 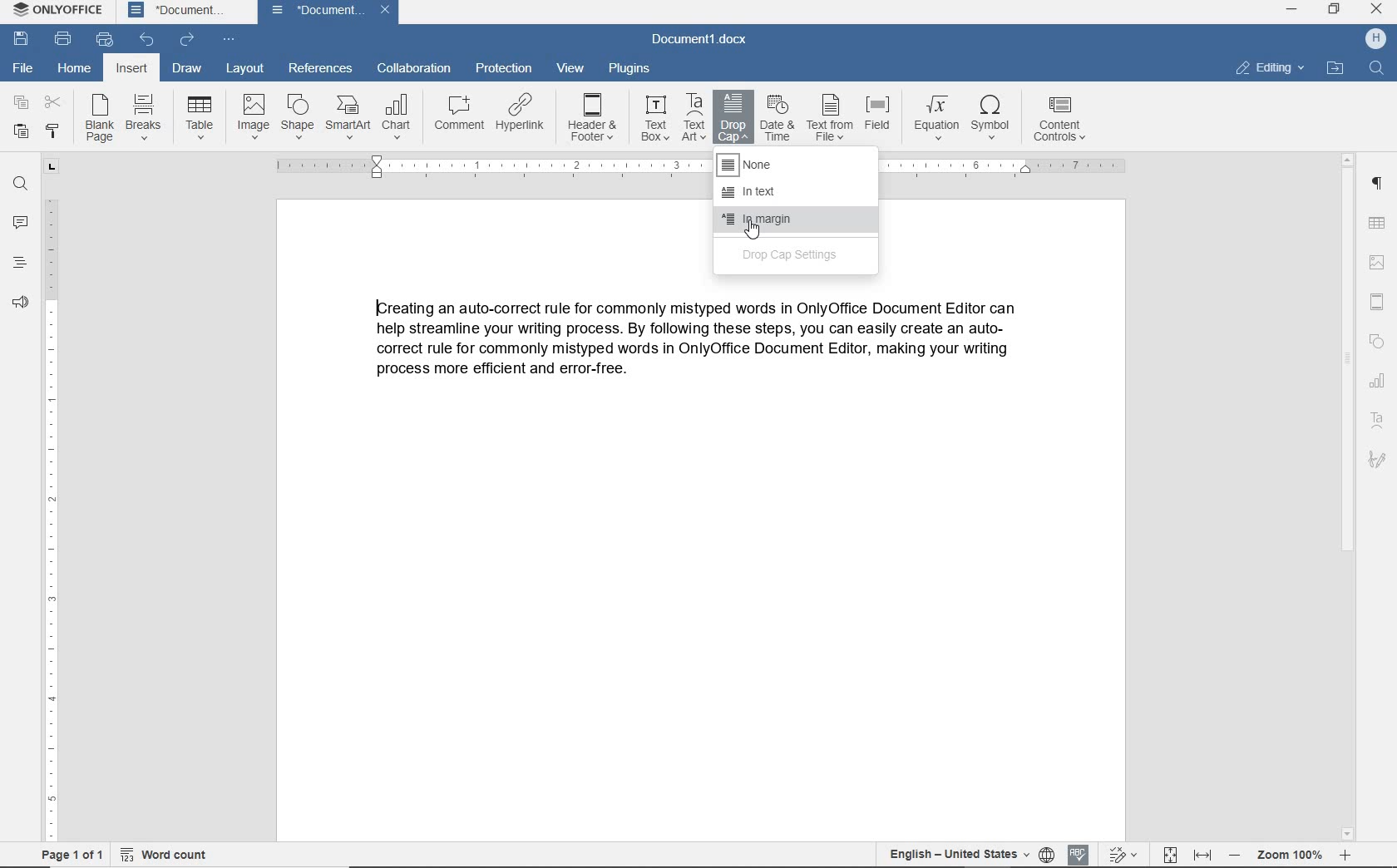 I want to click on references, so click(x=318, y=68).